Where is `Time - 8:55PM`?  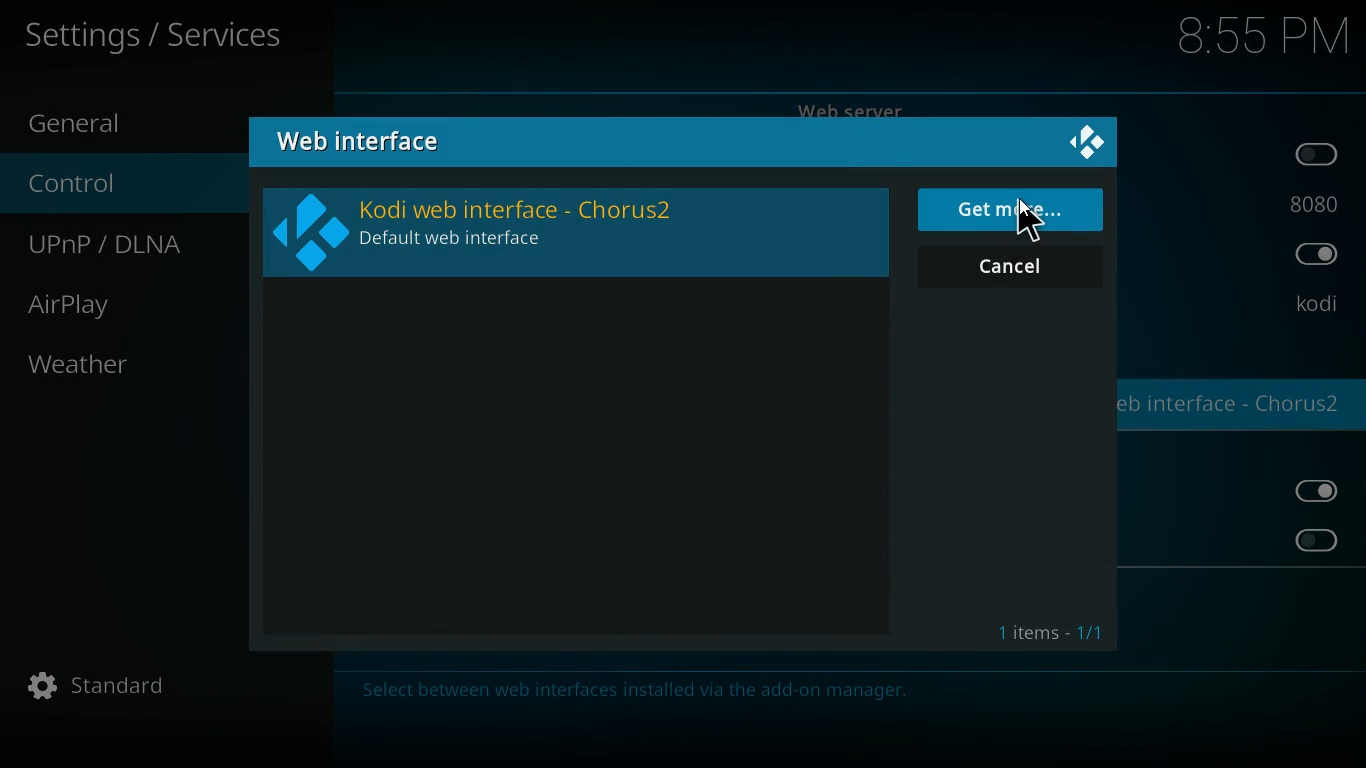
Time - 8:55PM is located at coordinates (1263, 37).